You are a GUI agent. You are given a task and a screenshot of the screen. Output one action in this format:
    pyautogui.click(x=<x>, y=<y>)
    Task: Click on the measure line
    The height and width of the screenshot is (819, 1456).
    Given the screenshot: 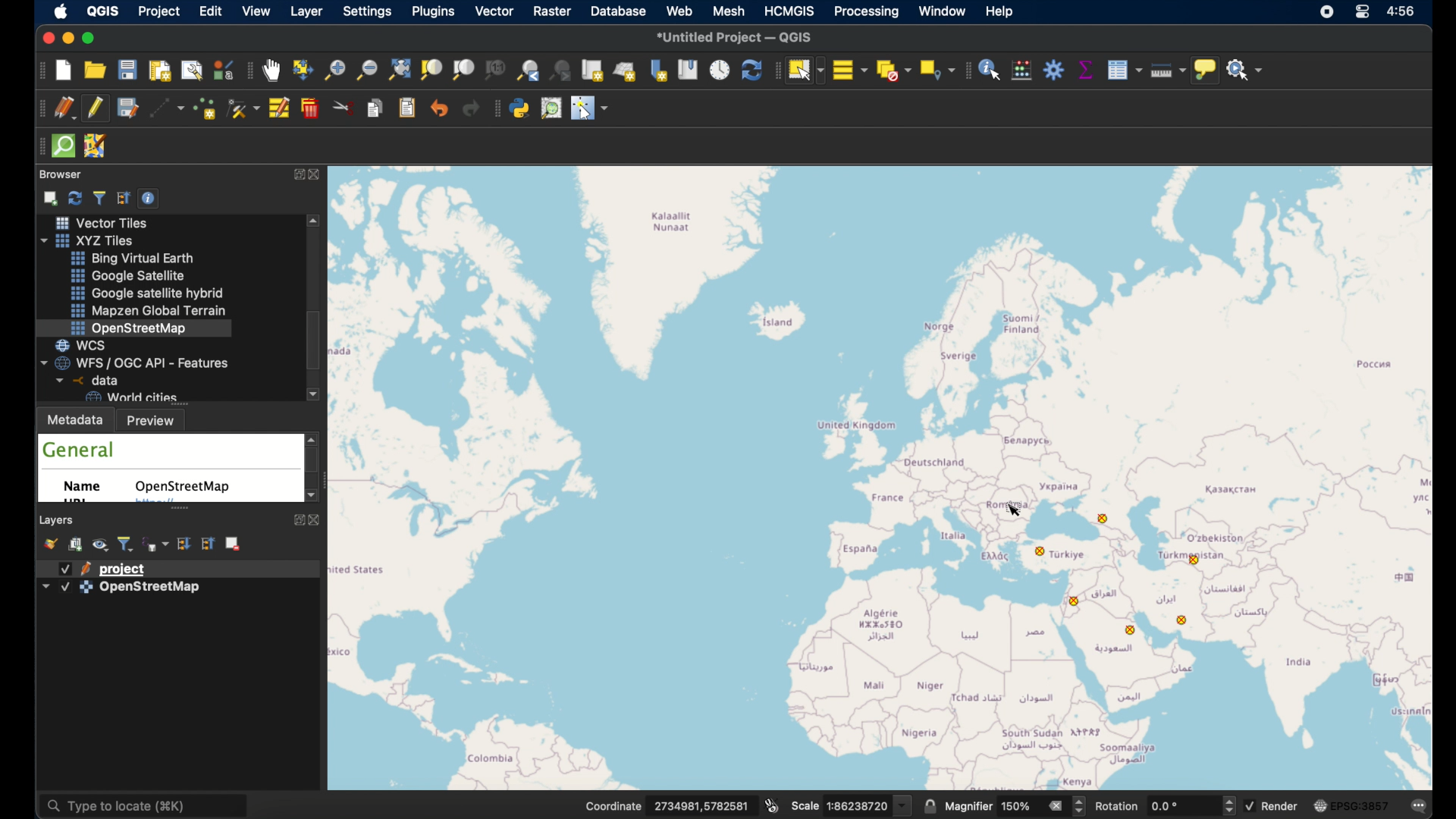 What is the action you would take?
    pyautogui.click(x=1164, y=69)
    